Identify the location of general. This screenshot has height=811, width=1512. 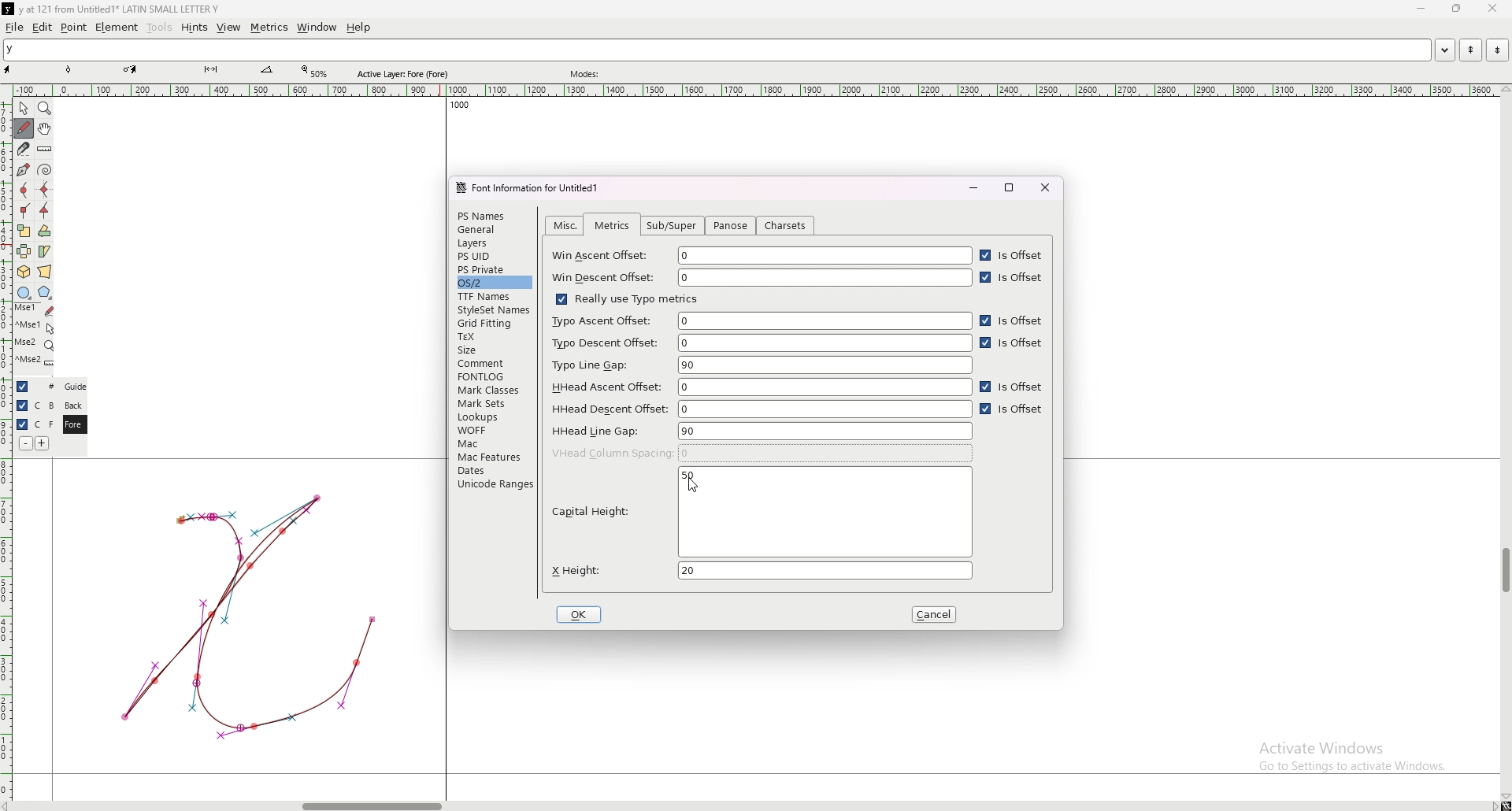
(494, 231).